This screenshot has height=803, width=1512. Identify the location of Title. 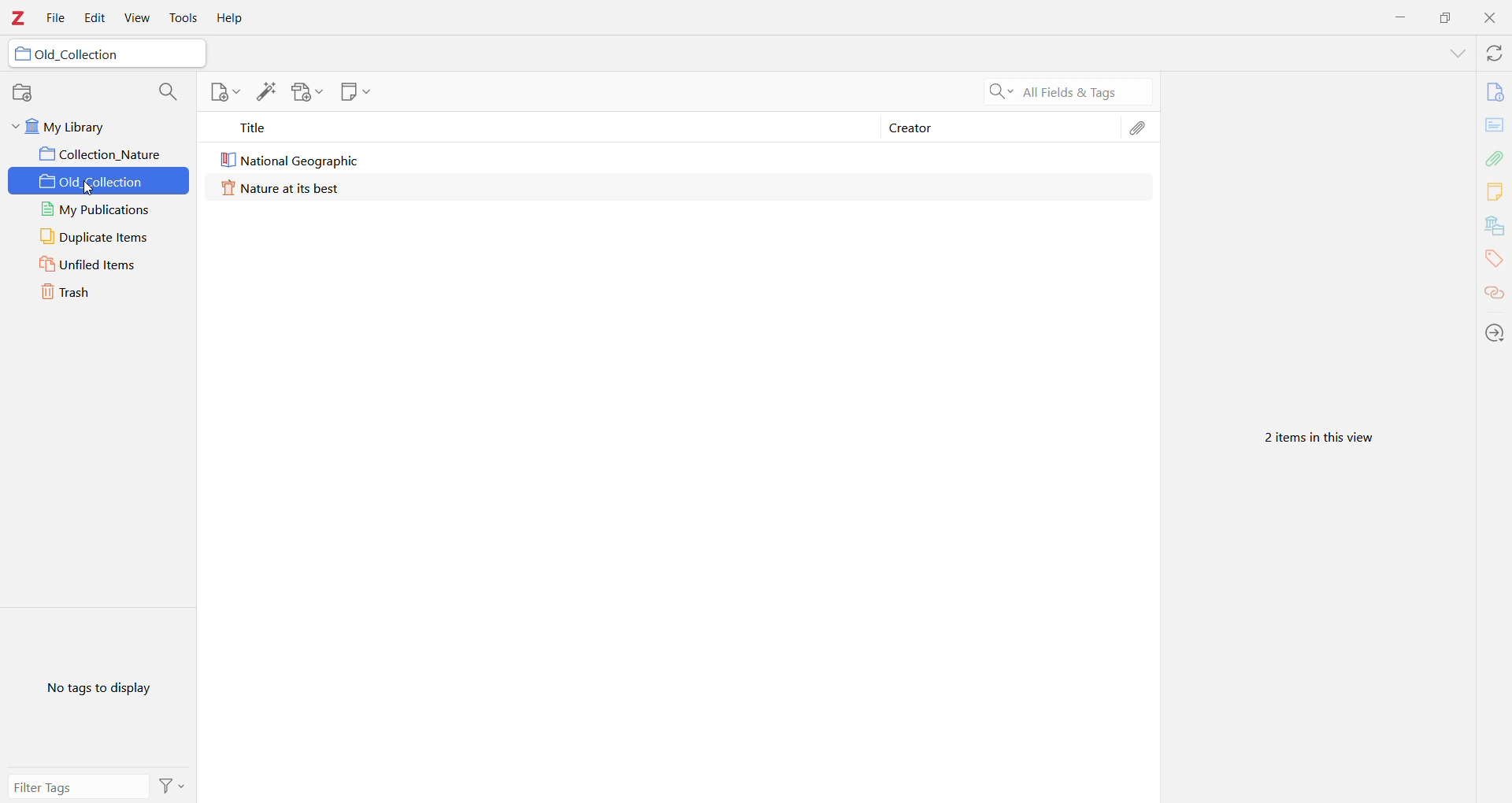
(539, 128).